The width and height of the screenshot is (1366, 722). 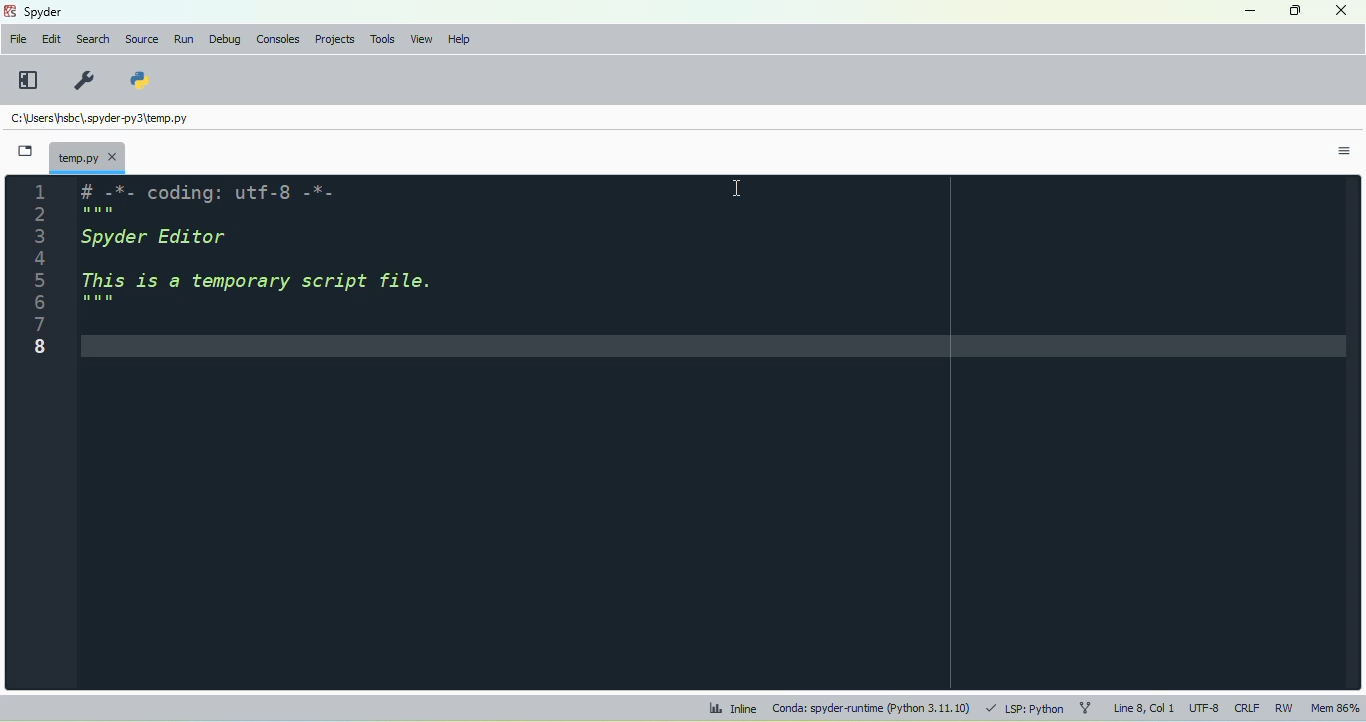 I want to click on source, so click(x=141, y=39).